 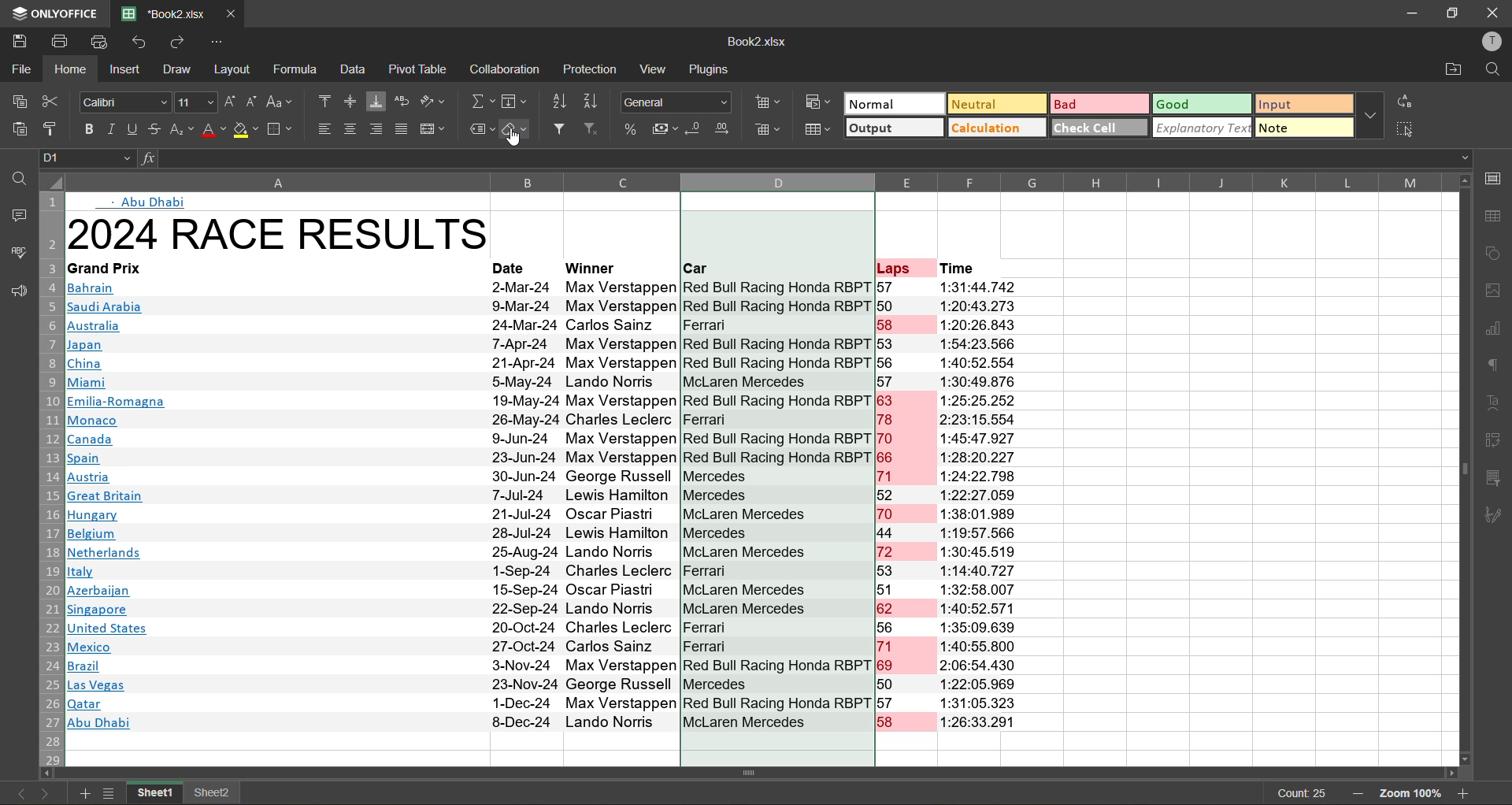 I want to click on decrement size, so click(x=254, y=103).